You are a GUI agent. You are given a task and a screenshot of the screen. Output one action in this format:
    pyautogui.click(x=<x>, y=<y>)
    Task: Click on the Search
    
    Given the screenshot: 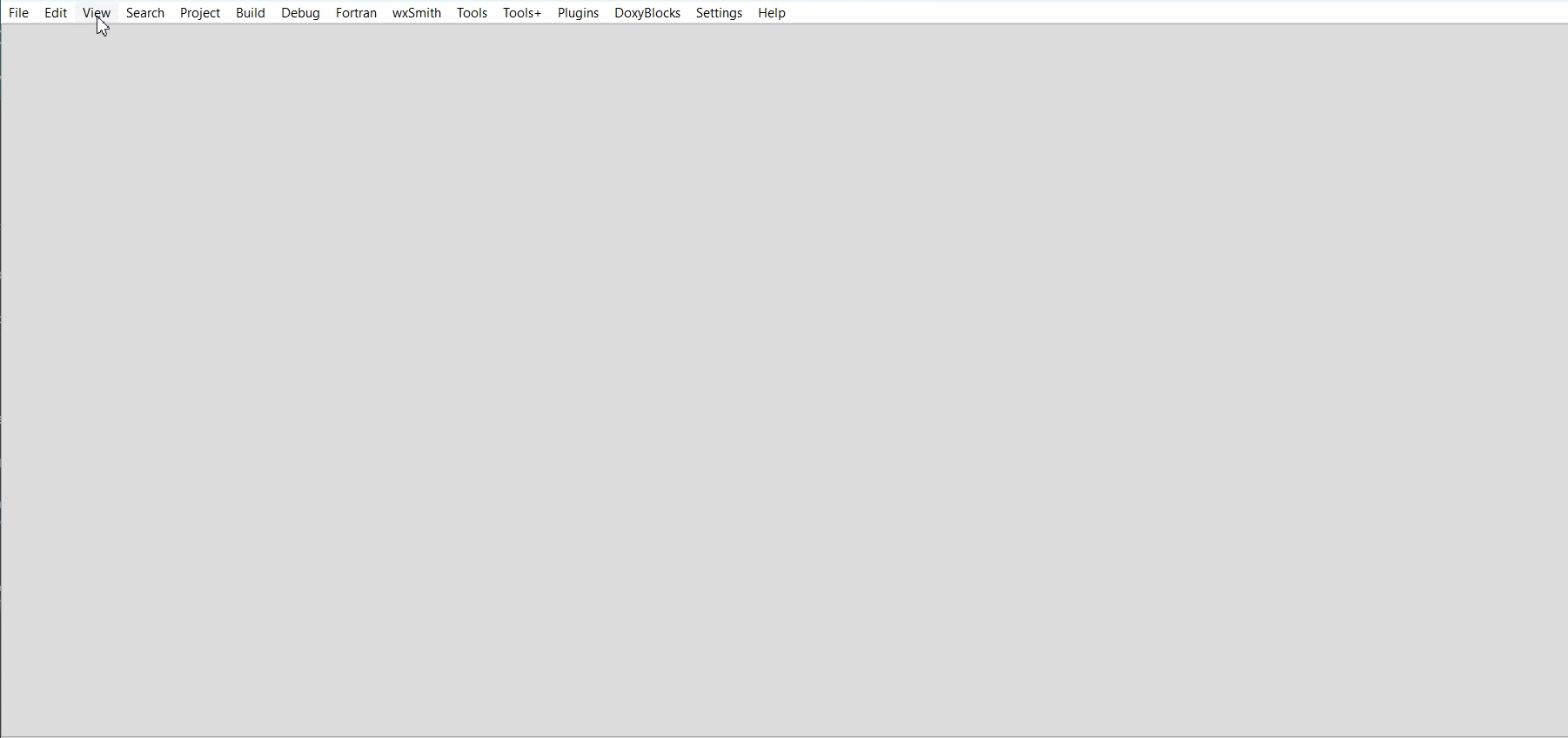 What is the action you would take?
    pyautogui.click(x=145, y=12)
    